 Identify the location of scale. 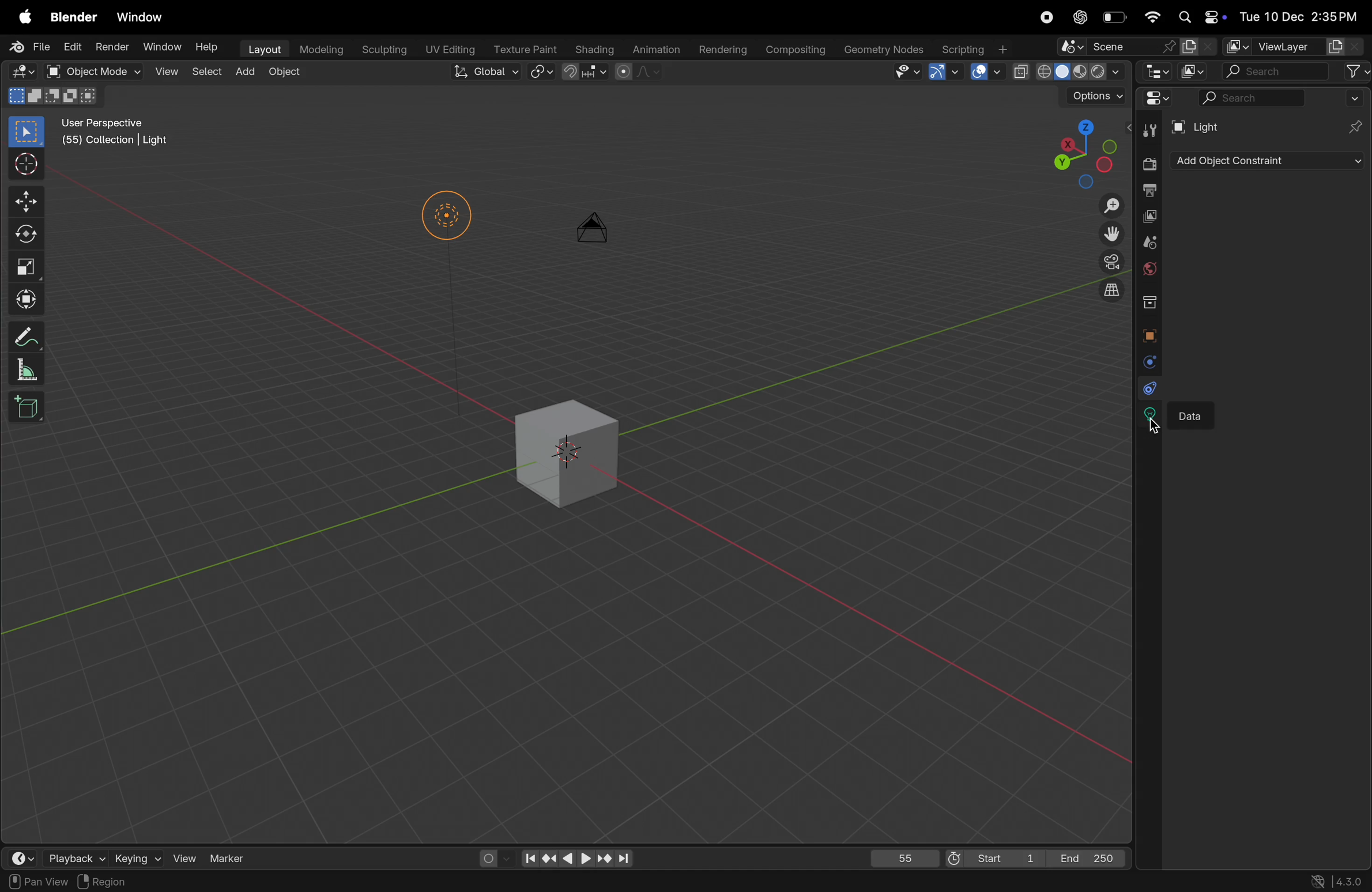
(26, 371).